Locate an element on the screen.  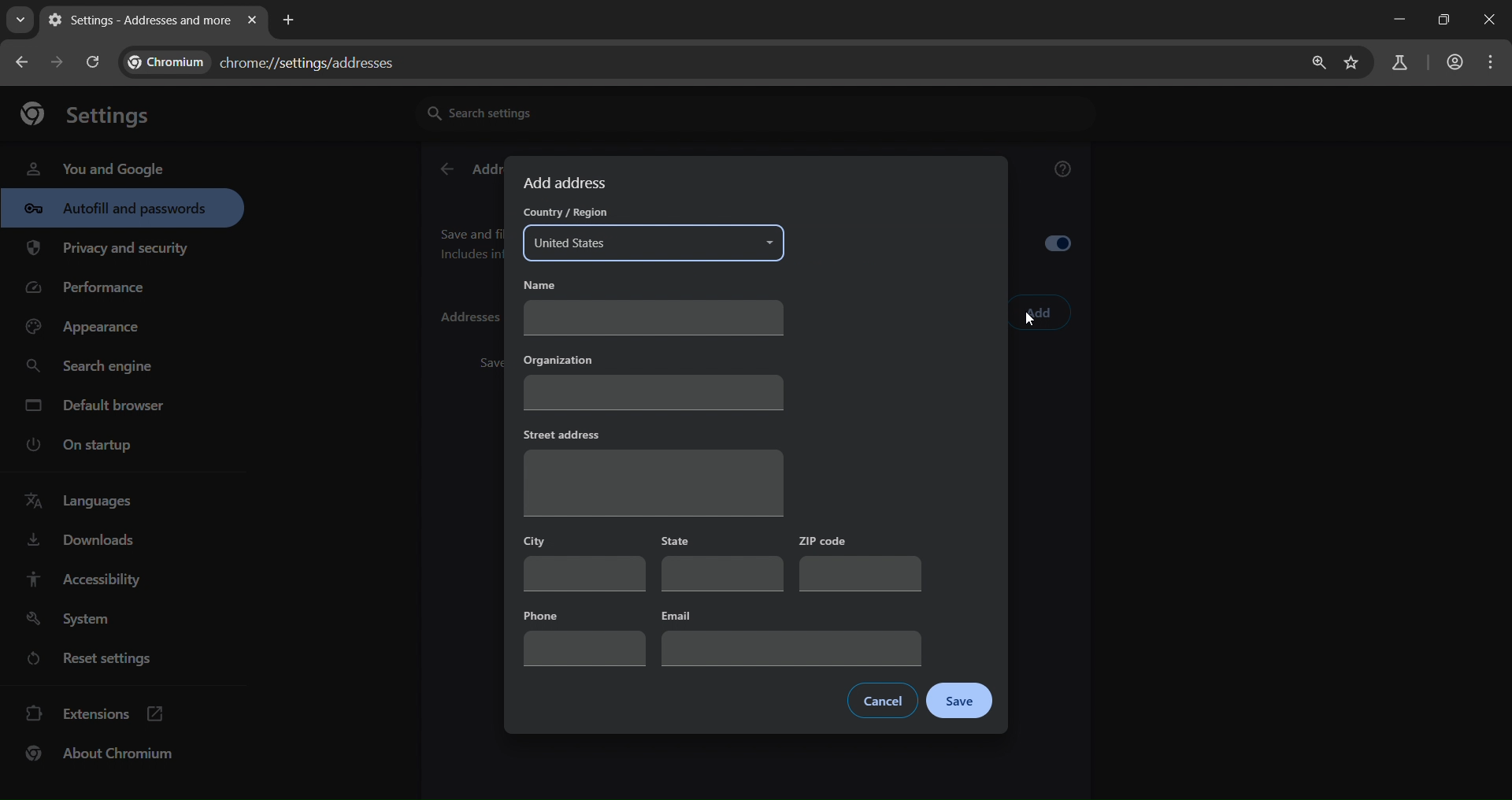
search engine is located at coordinates (94, 367).